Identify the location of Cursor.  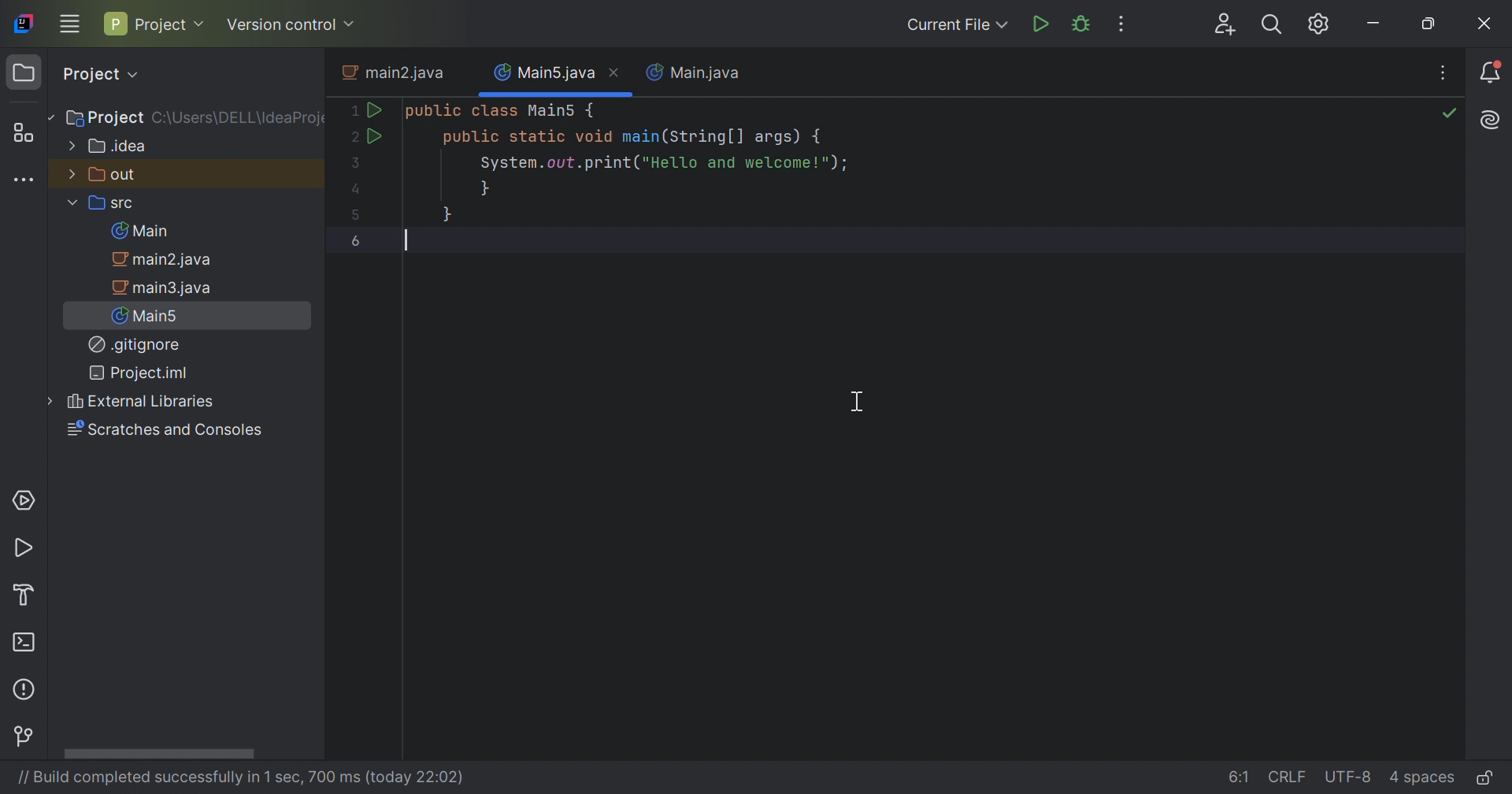
(859, 401).